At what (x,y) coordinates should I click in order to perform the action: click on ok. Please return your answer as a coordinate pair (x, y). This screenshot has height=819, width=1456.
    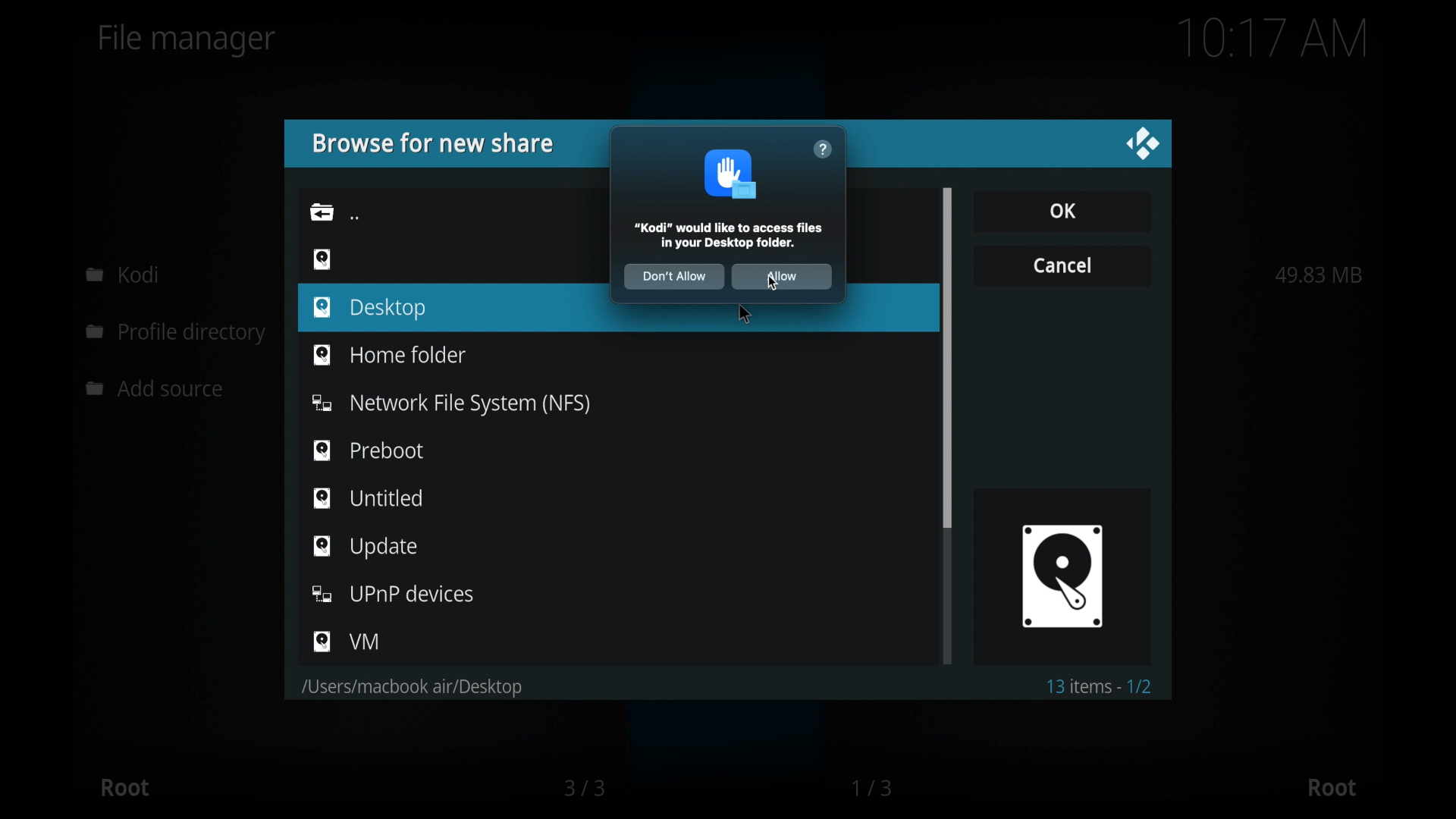
    Looking at the image, I should click on (1062, 210).